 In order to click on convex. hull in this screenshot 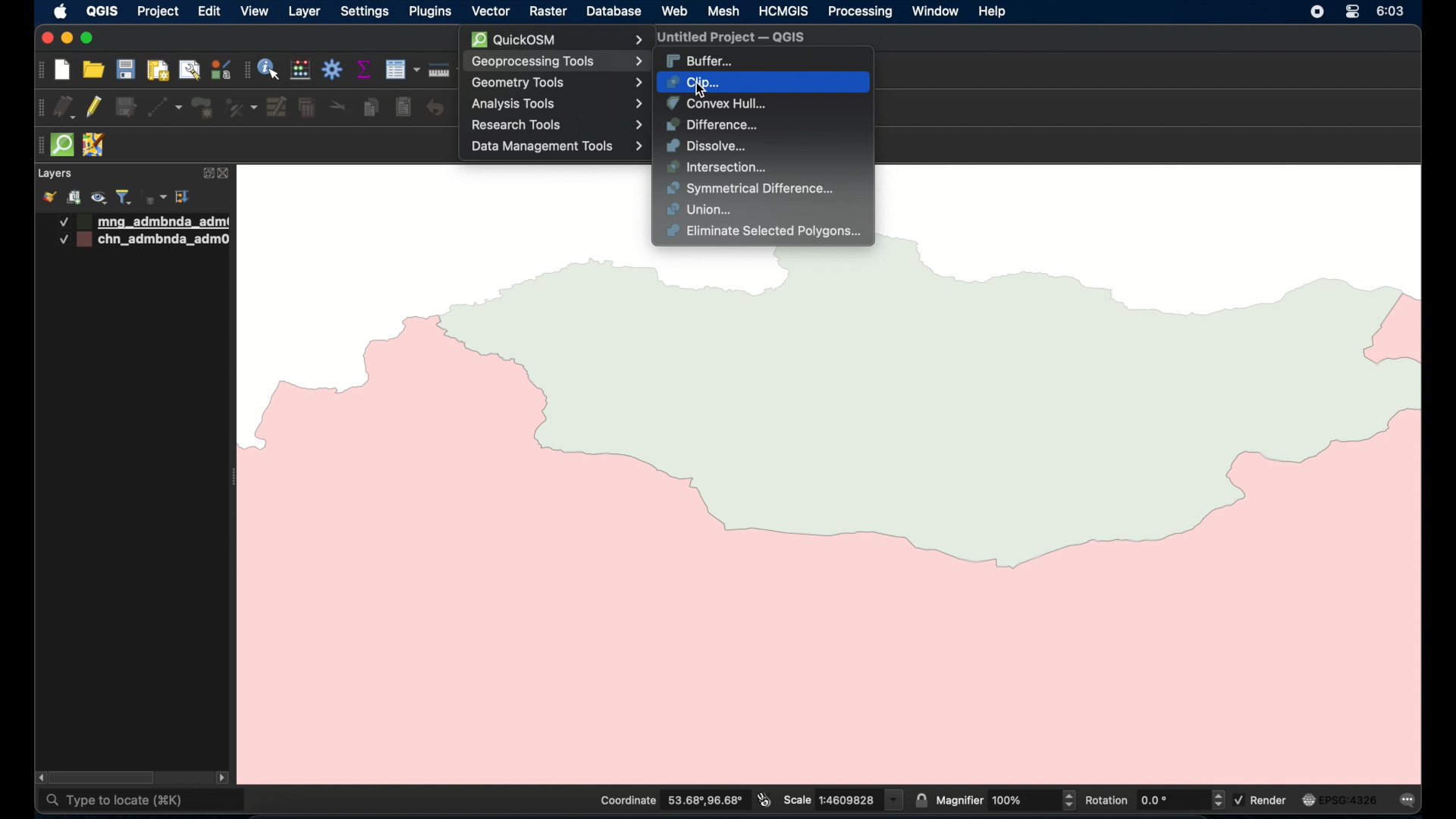, I will do `click(716, 103)`.